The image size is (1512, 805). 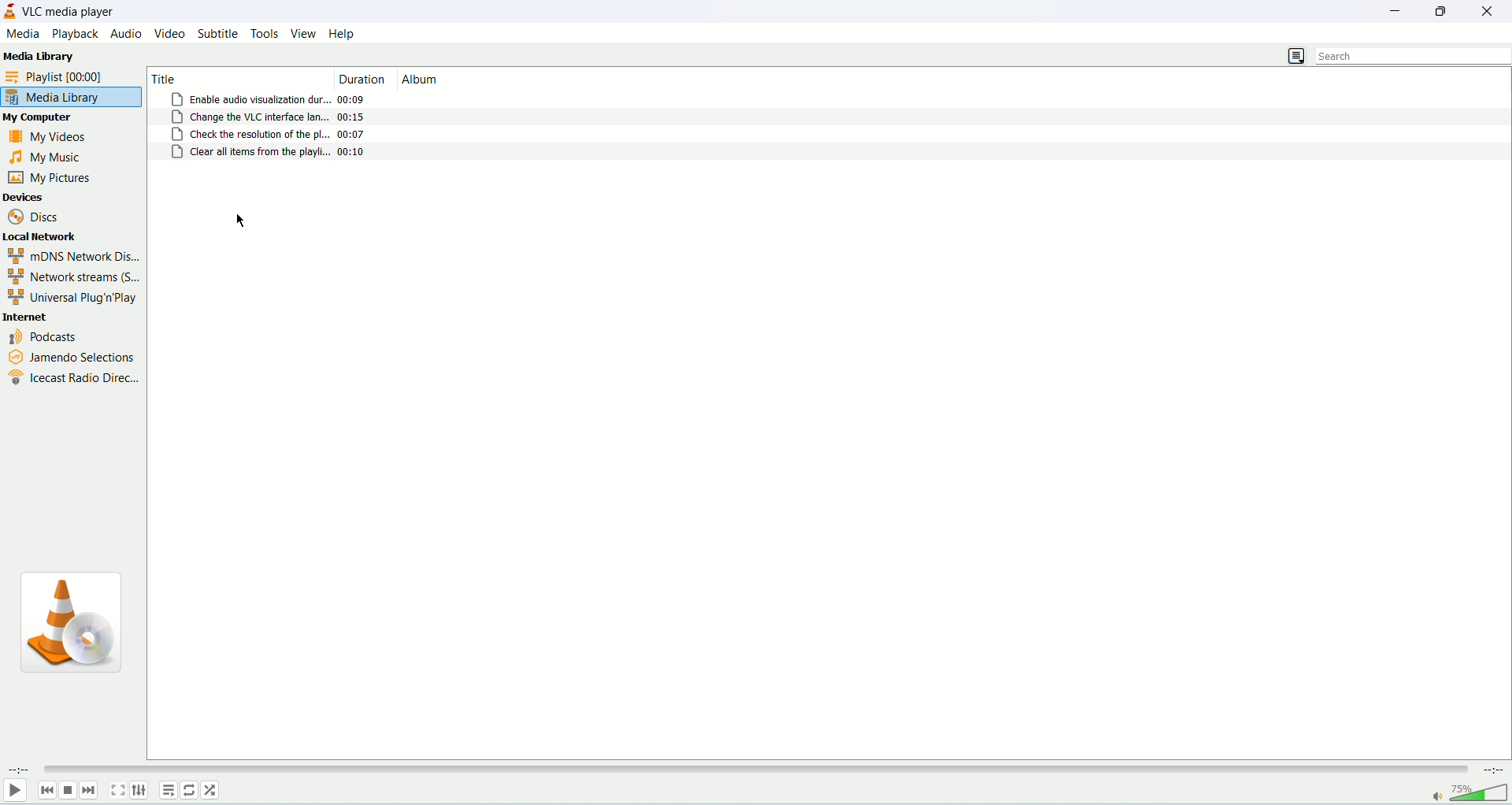 I want to click on file: Enable audio visualization dur... 00:09, so click(x=268, y=99).